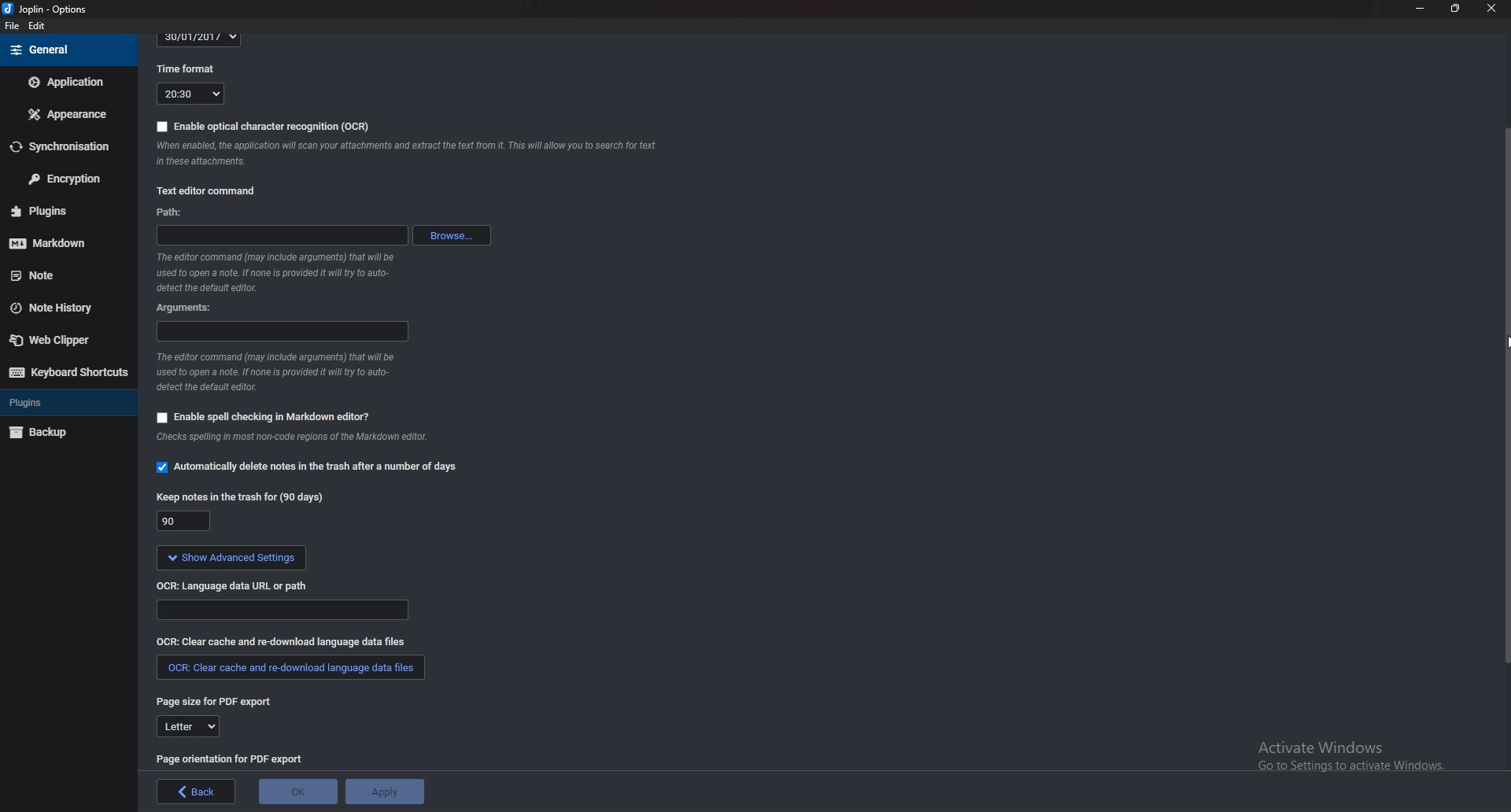 The width and height of the screenshot is (1511, 812). What do you see at coordinates (66, 177) in the screenshot?
I see `Encryption` at bounding box center [66, 177].